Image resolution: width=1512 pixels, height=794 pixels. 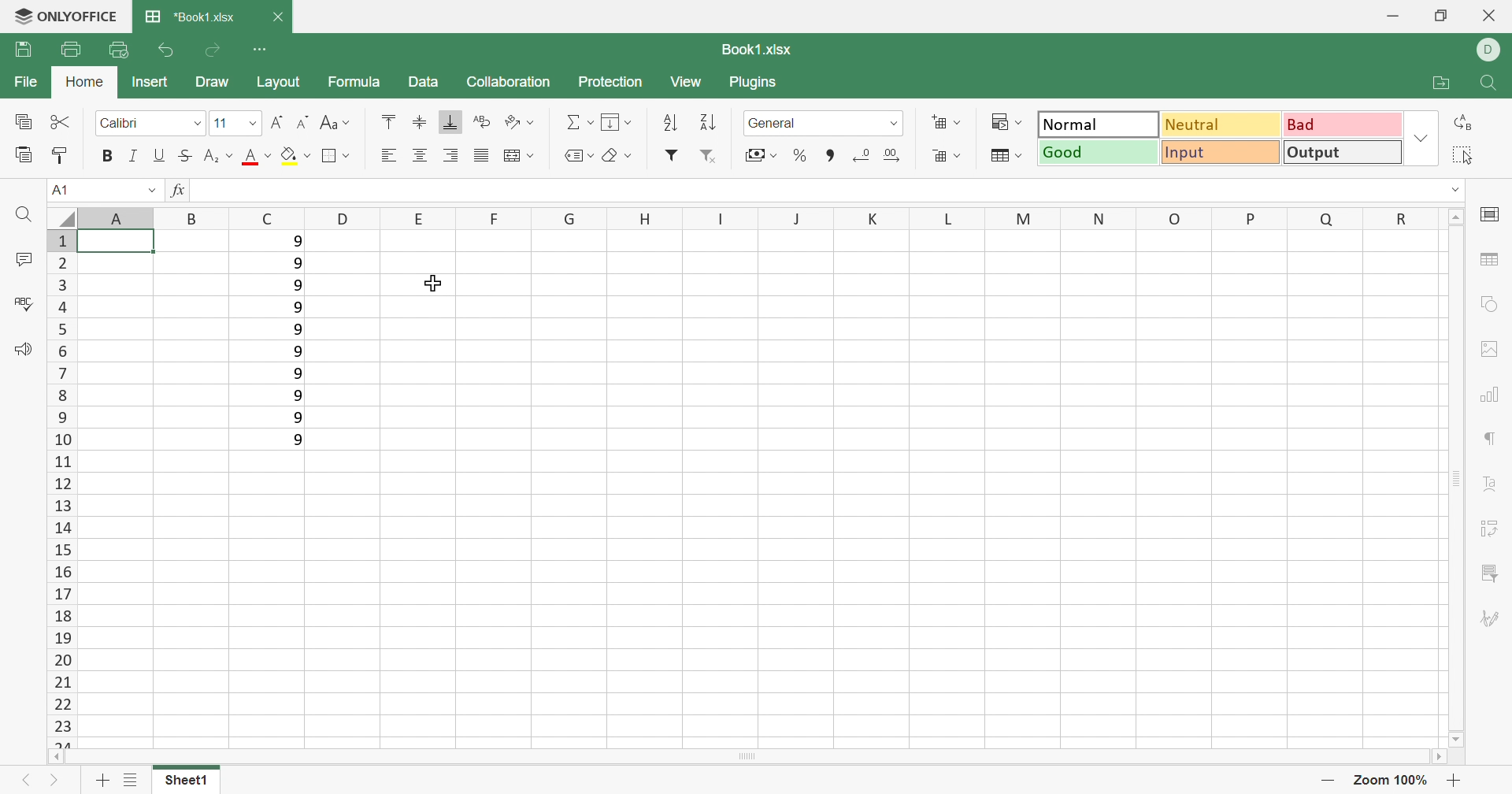 What do you see at coordinates (256, 158) in the screenshot?
I see `Font color` at bounding box center [256, 158].